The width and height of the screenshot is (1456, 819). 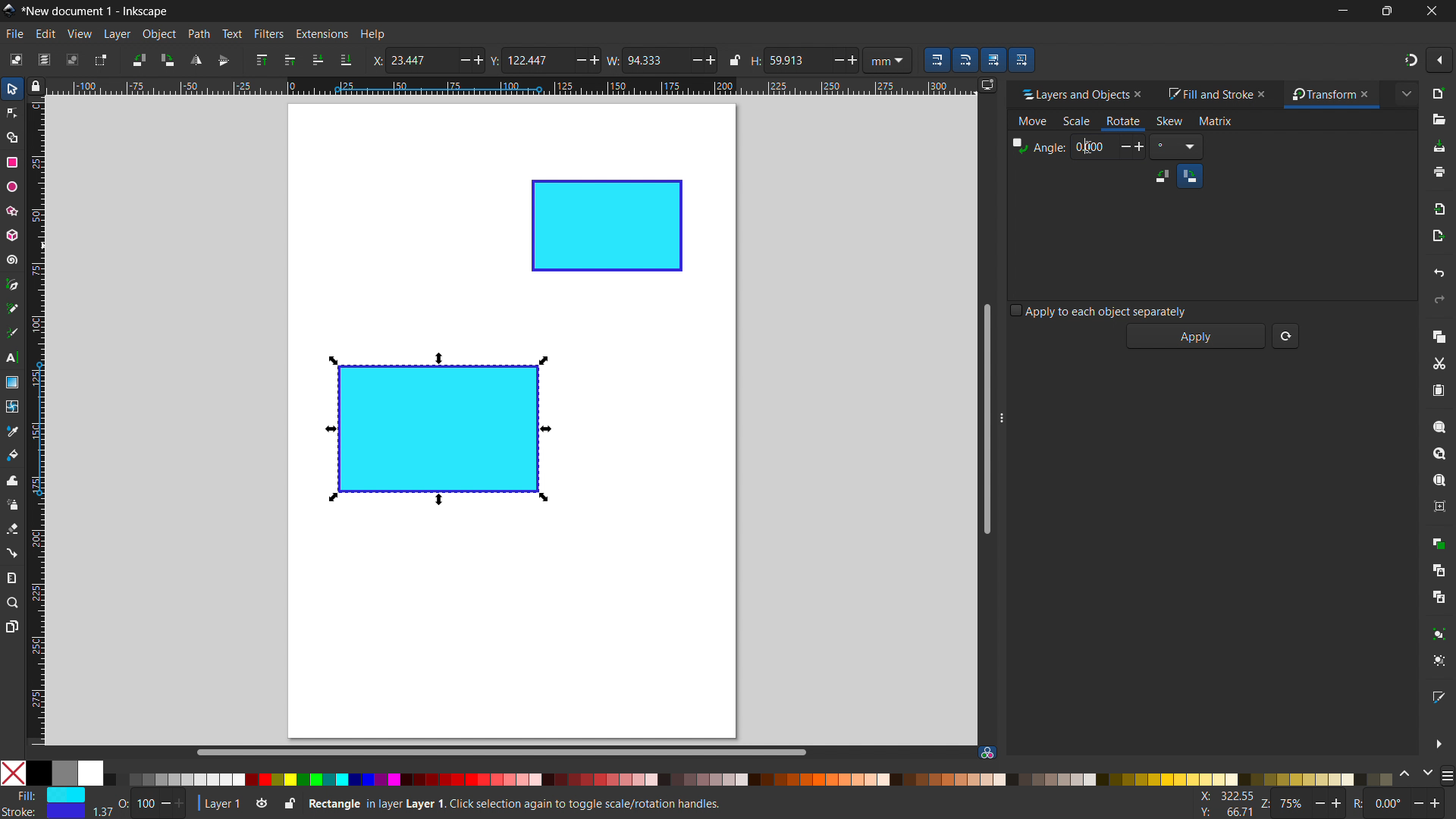 What do you see at coordinates (1439, 300) in the screenshot?
I see `redo` at bounding box center [1439, 300].